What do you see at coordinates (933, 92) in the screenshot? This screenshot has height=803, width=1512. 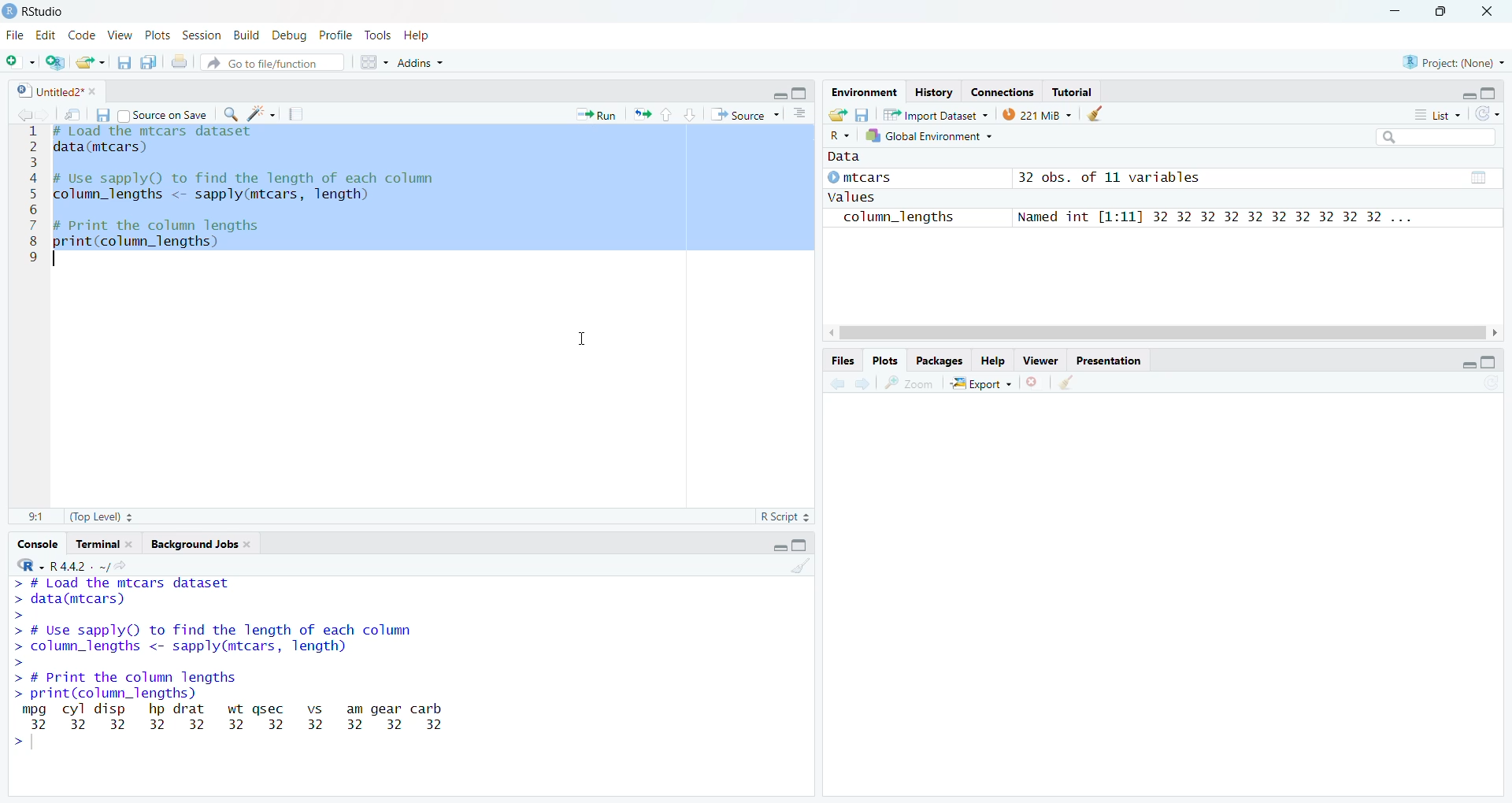 I see `History` at bounding box center [933, 92].